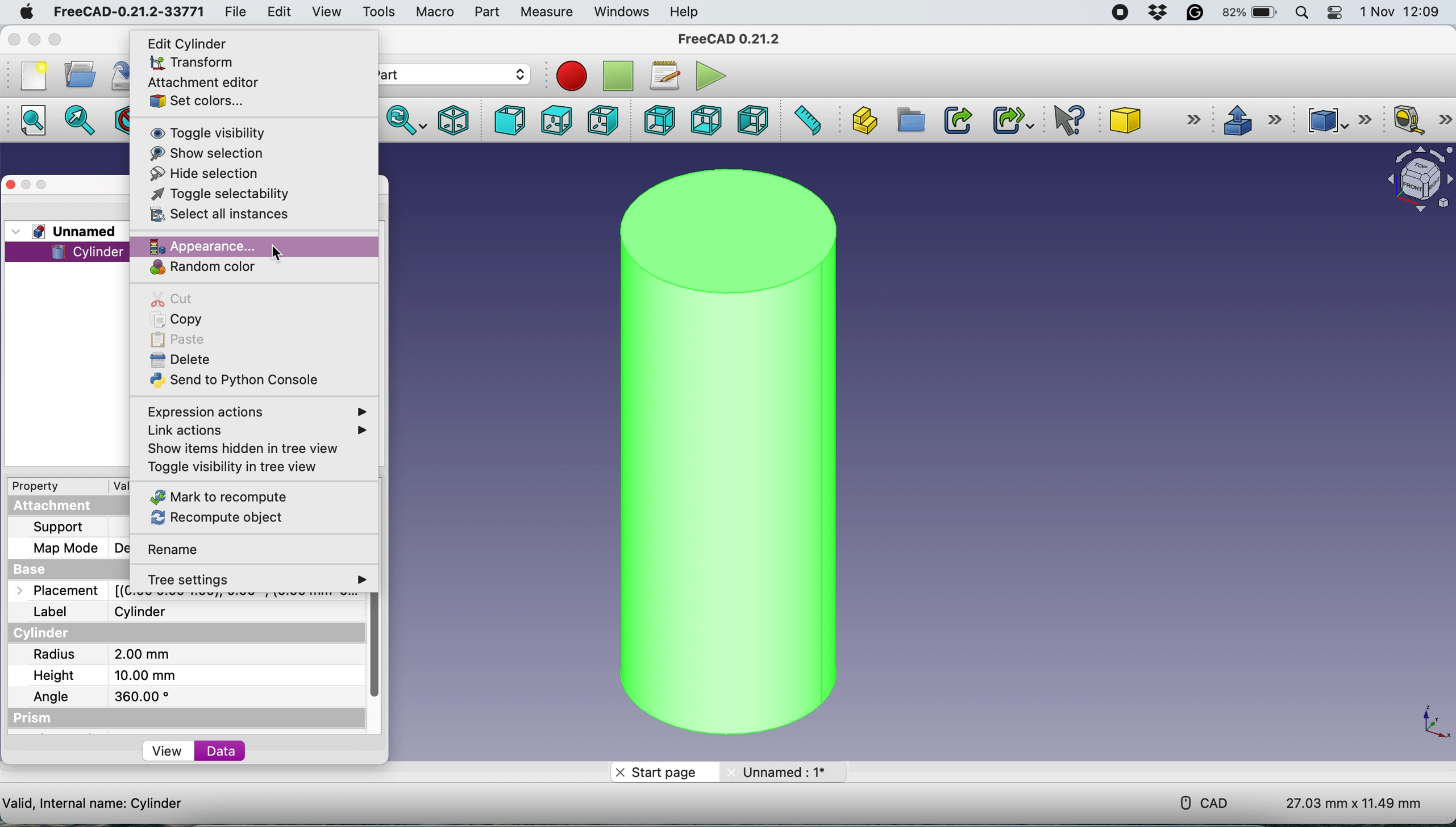  I want to click on battery, so click(1251, 14).